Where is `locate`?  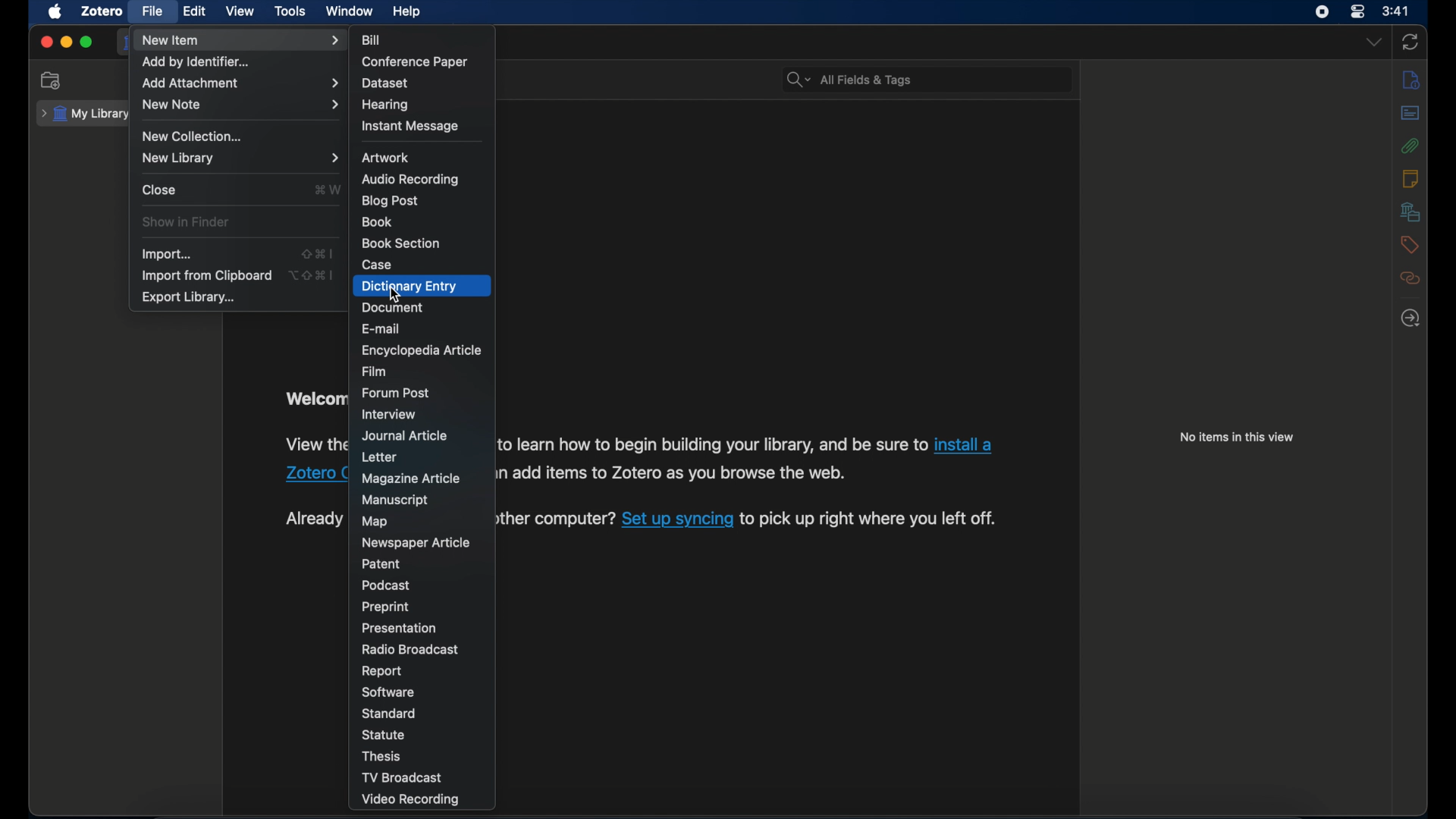
locate is located at coordinates (1410, 318).